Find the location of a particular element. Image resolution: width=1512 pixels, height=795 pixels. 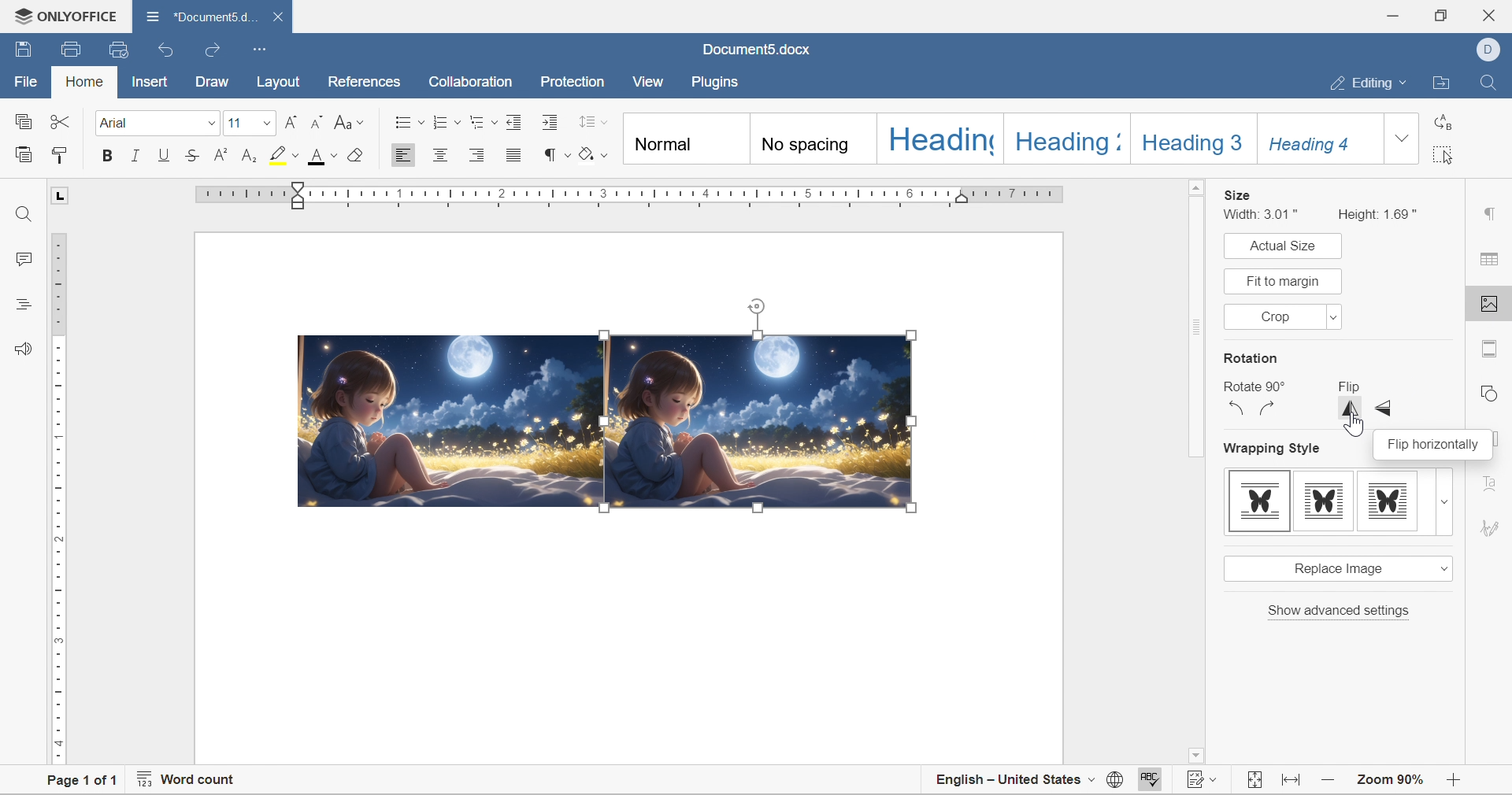

fit to margin is located at coordinates (1283, 280).